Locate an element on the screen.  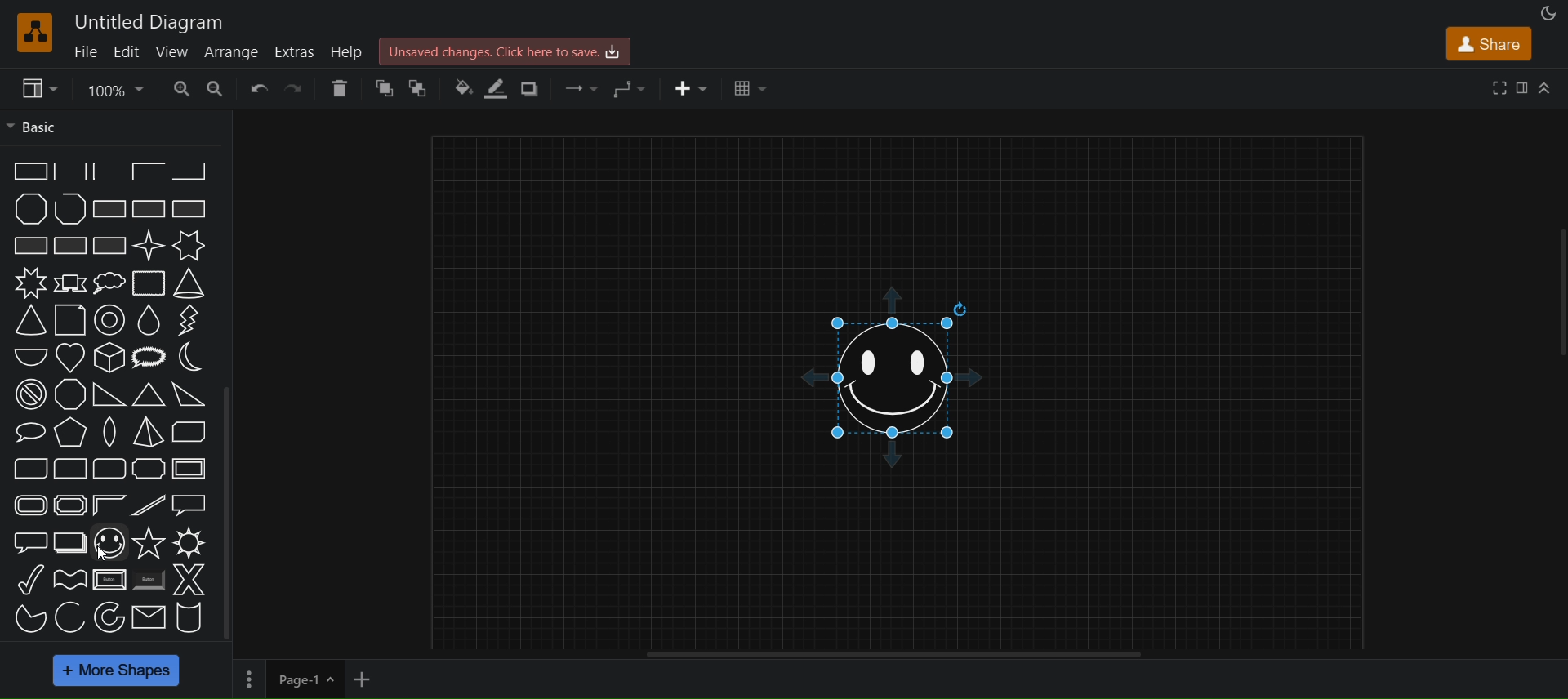
obtuse triangle is located at coordinates (147, 396).